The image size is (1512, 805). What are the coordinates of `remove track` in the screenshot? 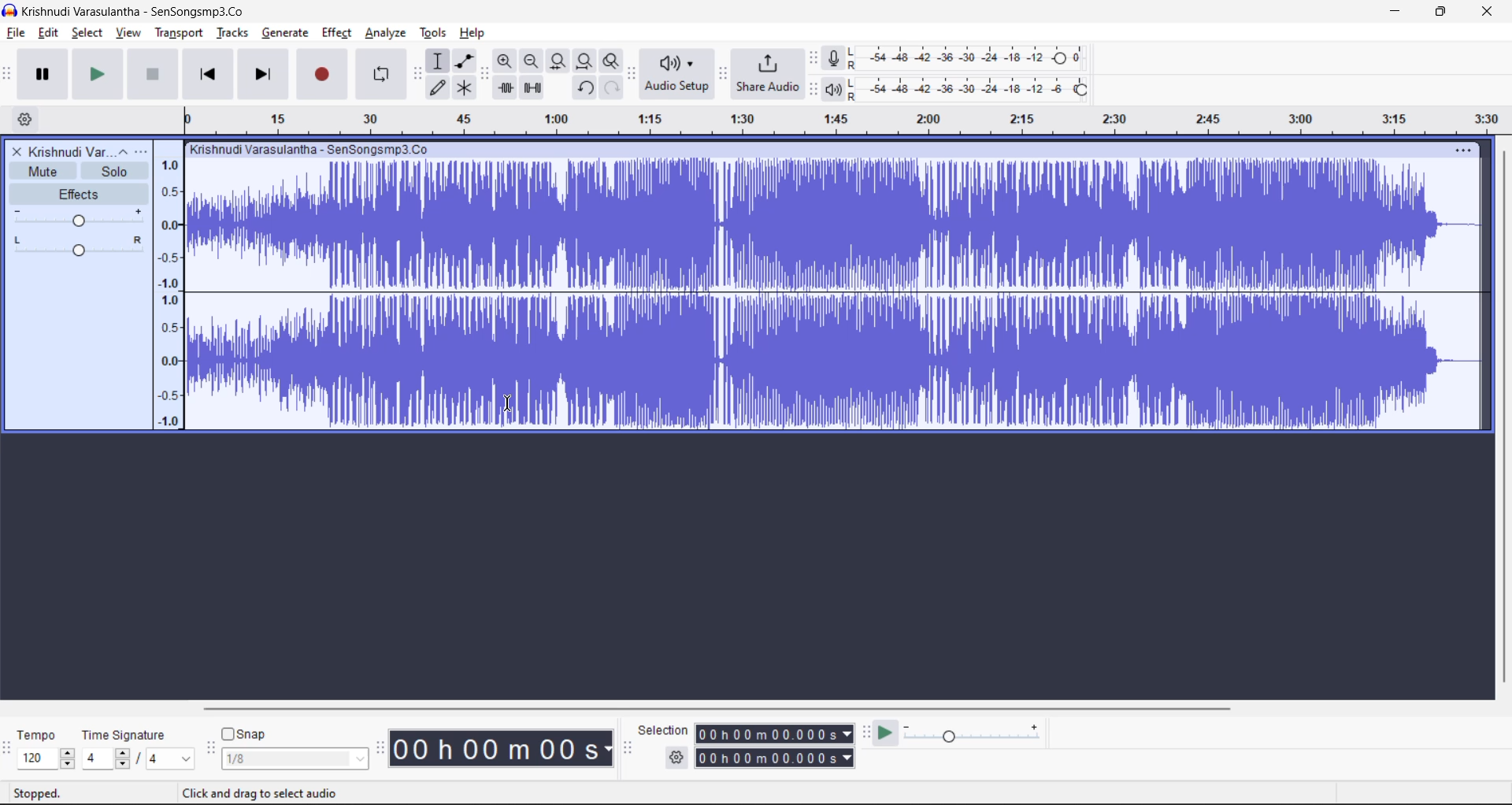 It's located at (17, 152).